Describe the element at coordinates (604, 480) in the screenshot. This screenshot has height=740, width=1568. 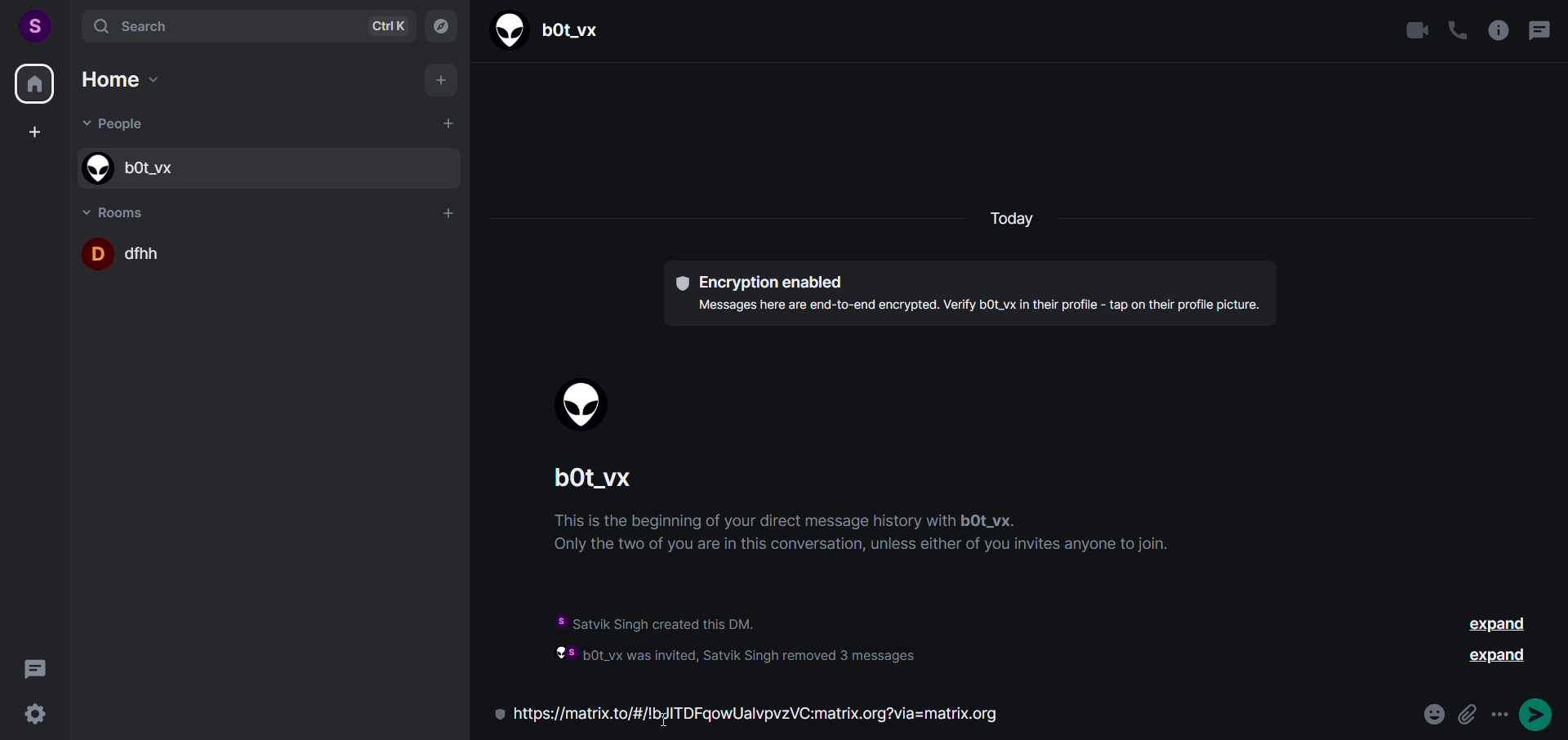
I see `people name` at that location.